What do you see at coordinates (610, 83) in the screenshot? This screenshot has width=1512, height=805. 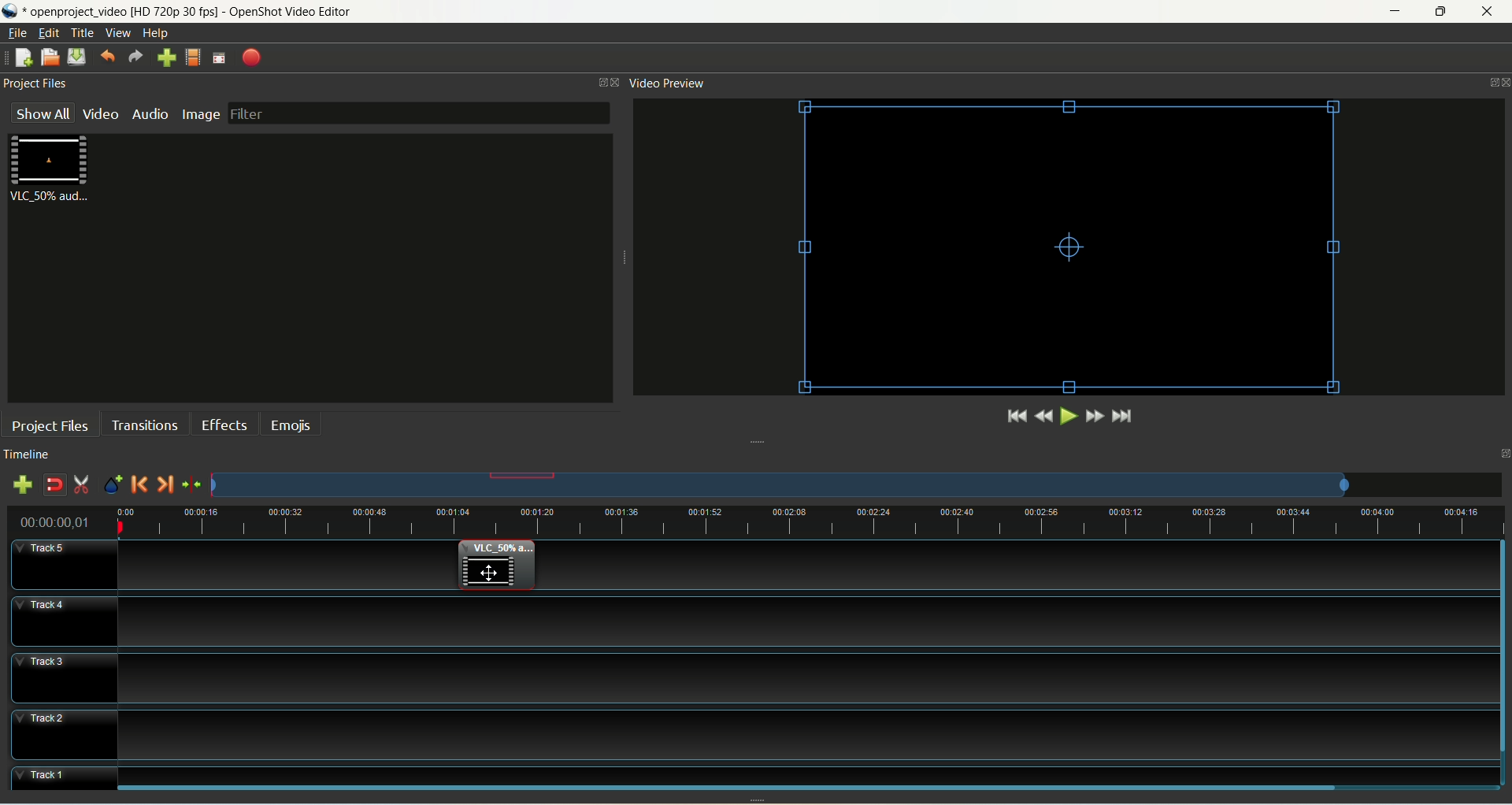 I see `Panel control menu` at bounding box center [610, 83].